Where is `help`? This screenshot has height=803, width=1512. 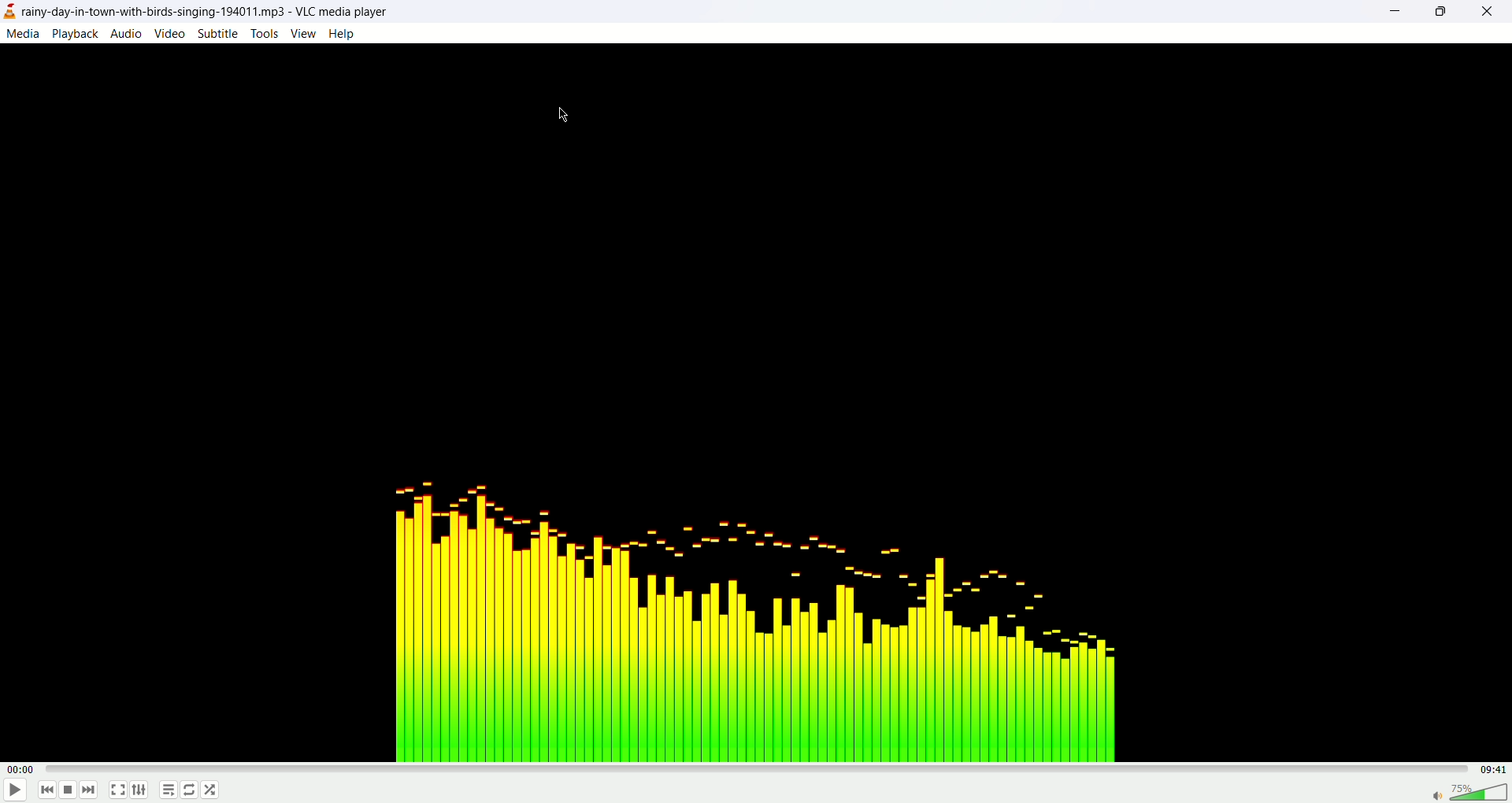
help is located at coordinates (342, 34).